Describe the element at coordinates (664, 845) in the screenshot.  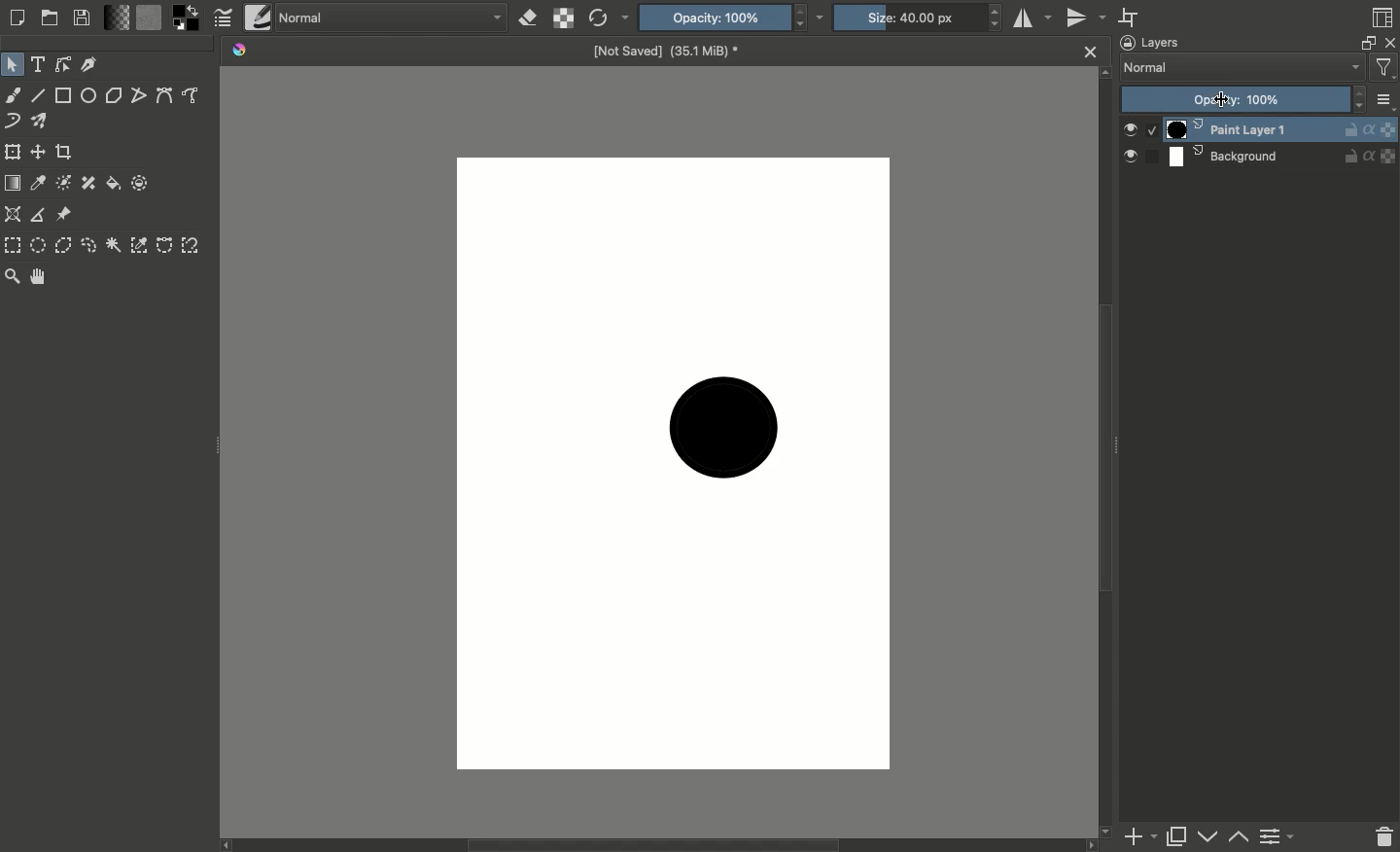
I see `Scroll` at that location.